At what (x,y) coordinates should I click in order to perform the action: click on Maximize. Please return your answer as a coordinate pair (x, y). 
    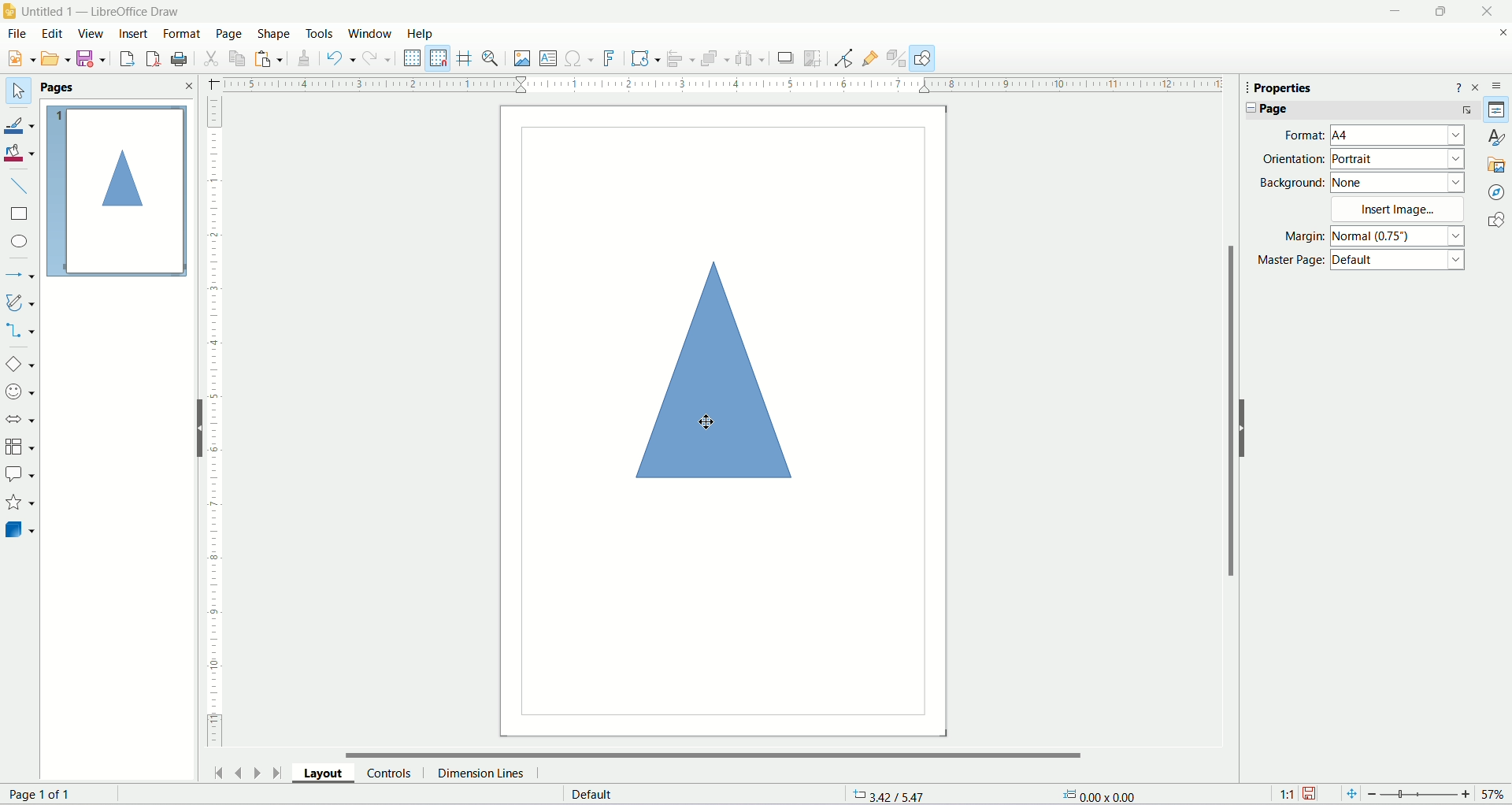
    Looking at the image, I should click on (1439, 11).